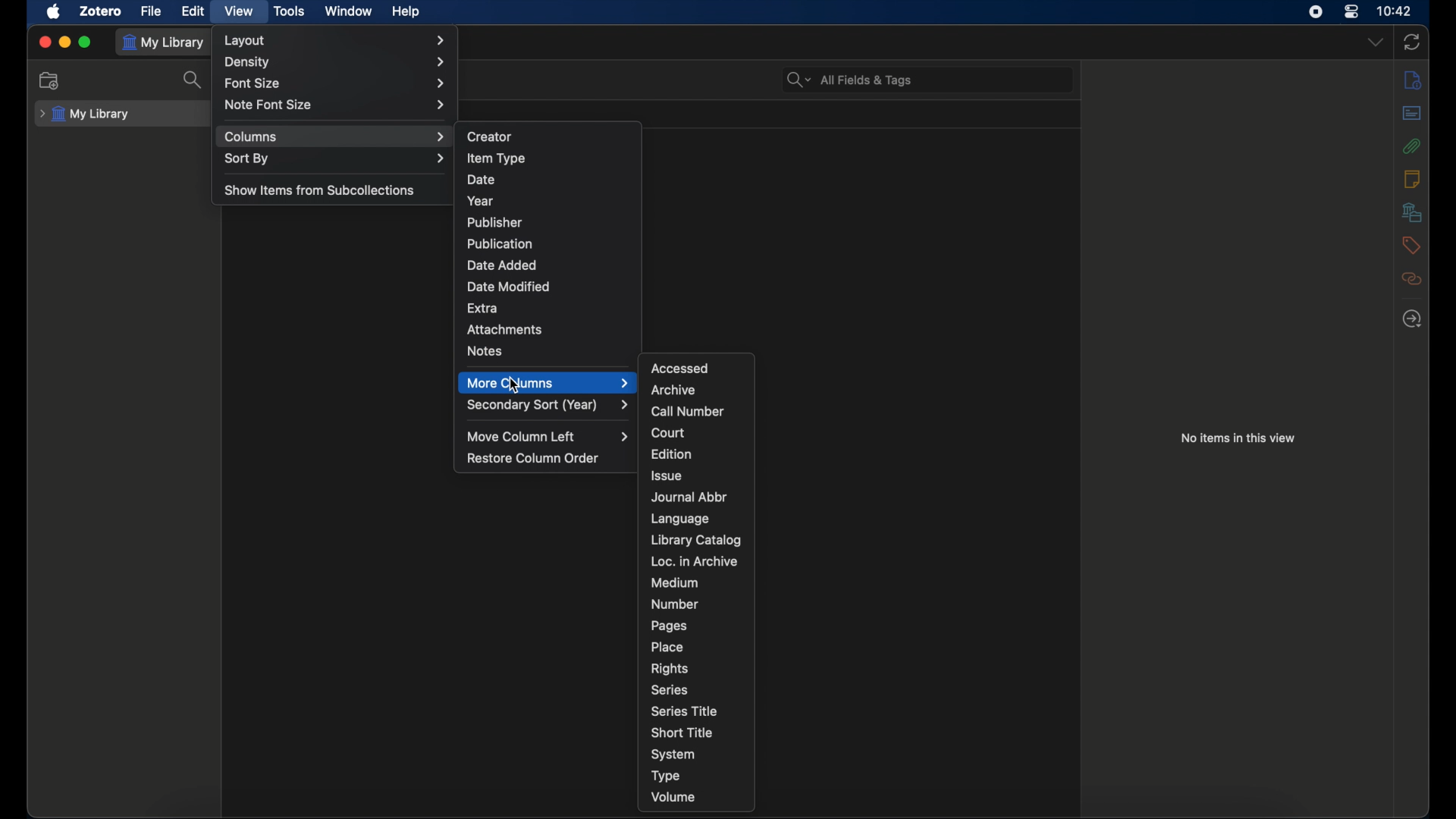 The width and height of the screenshot is (1456, 819). I want to click on dropdown, so click(1375, 42).